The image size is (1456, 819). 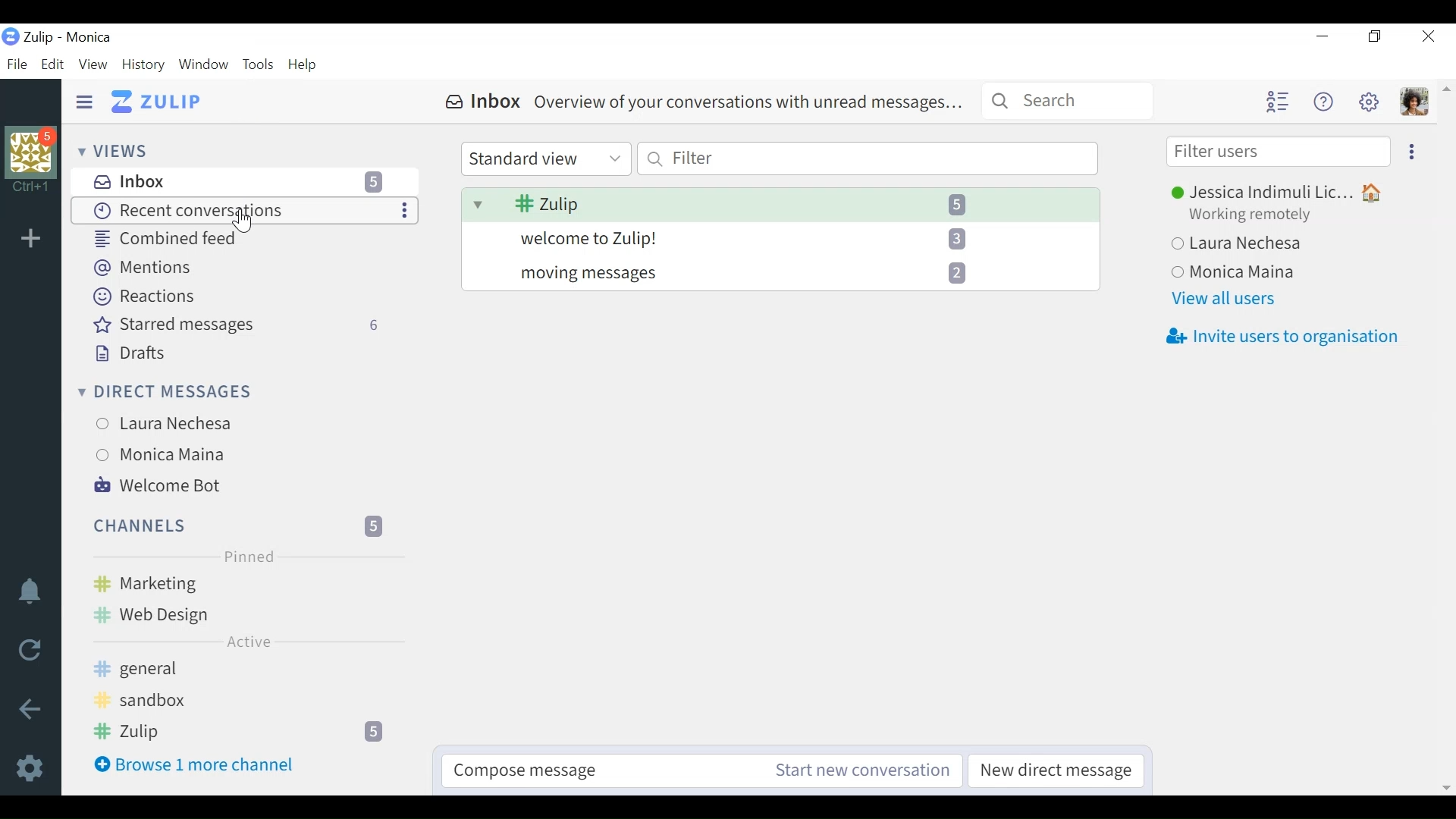 I want to click on Hide user list, so click(x=1277, y=102).